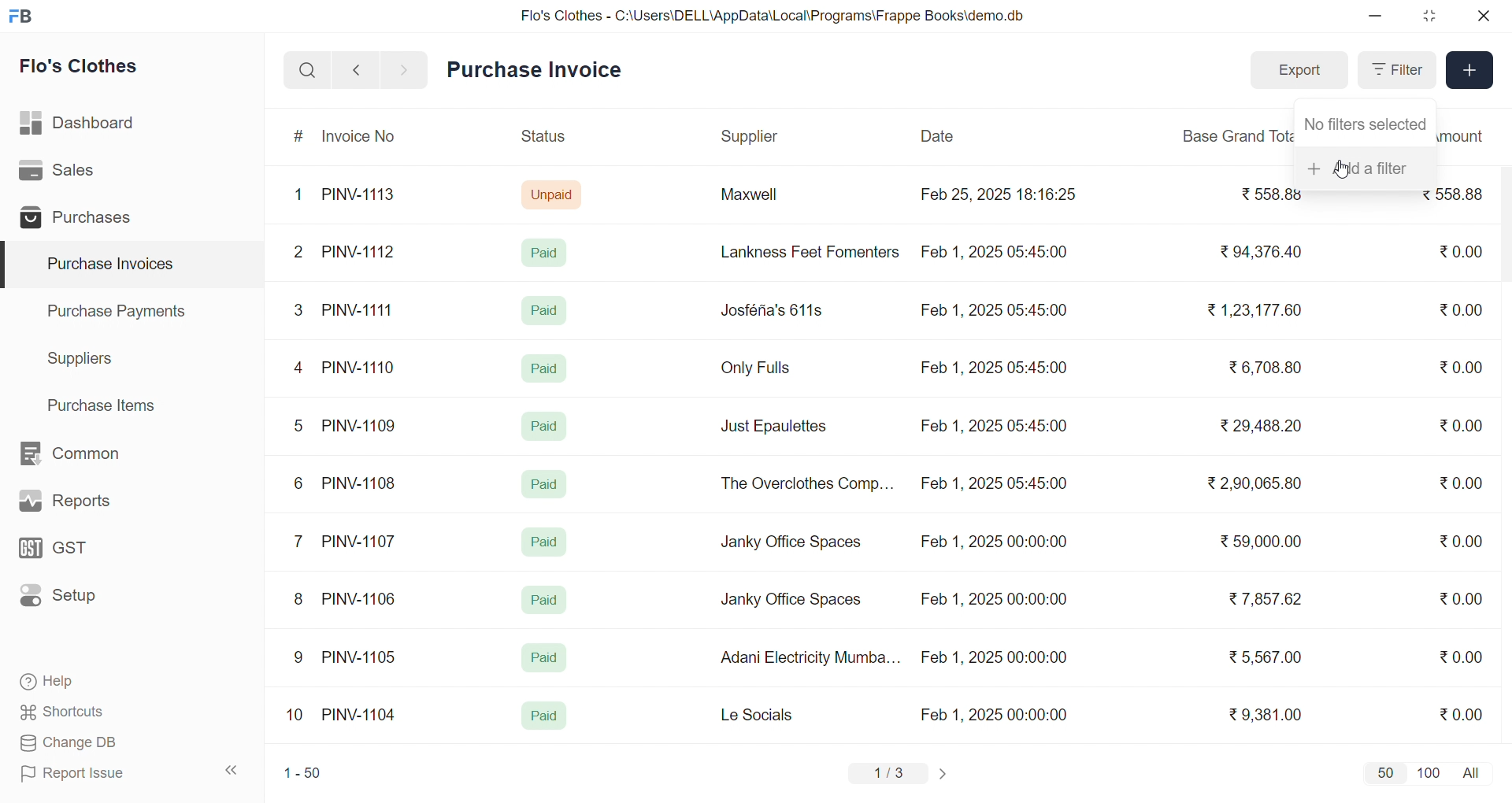  Describe the element at coordinates (299, 601) in the screenshot. I see `8` at that location.